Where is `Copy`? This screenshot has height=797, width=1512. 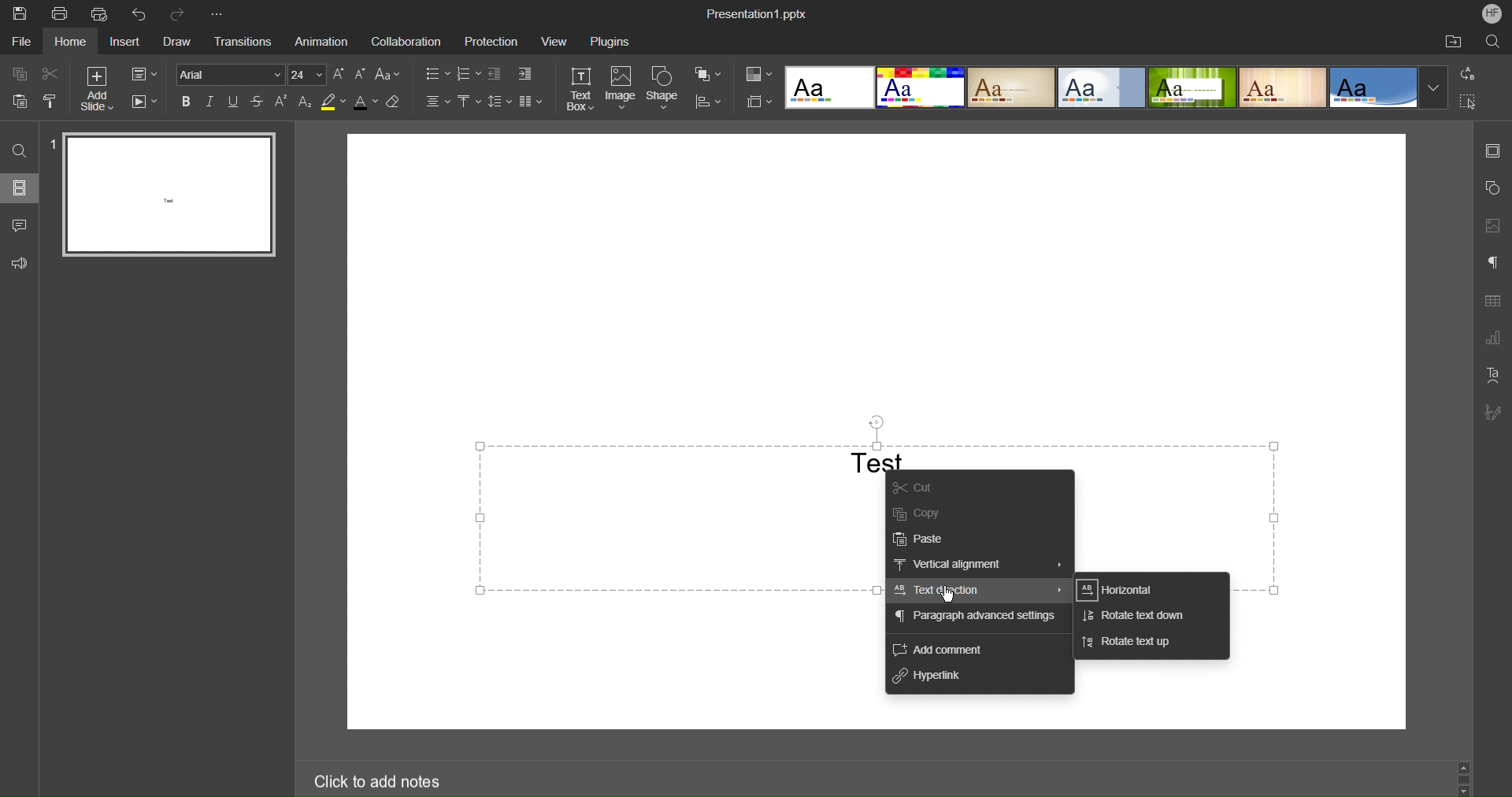
Copy is located at coordinates (23, 73).